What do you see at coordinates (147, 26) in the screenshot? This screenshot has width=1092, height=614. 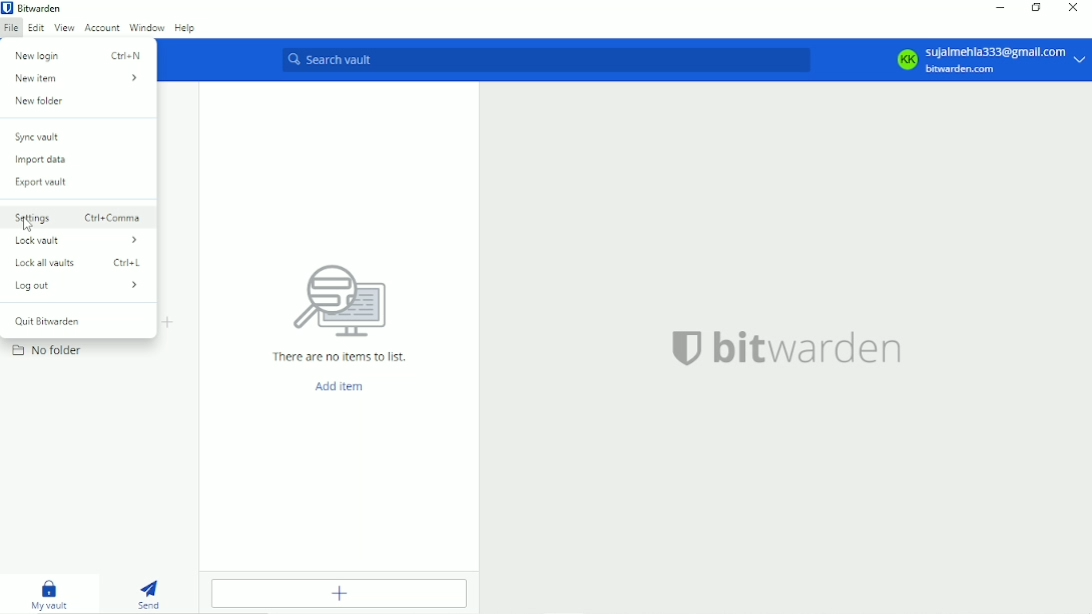 I see `Window` at bounding box center [147, 26].